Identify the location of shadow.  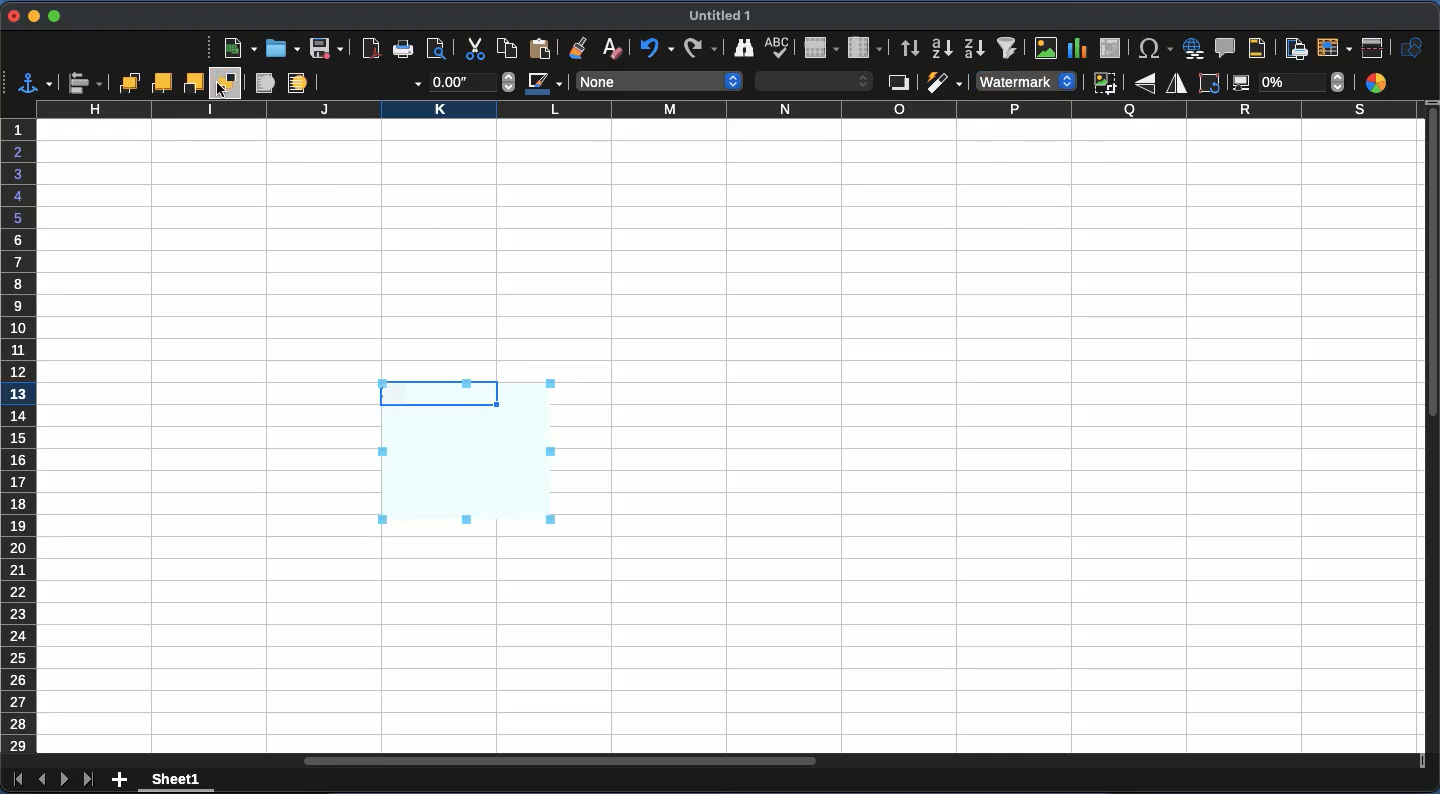
(898, 84).